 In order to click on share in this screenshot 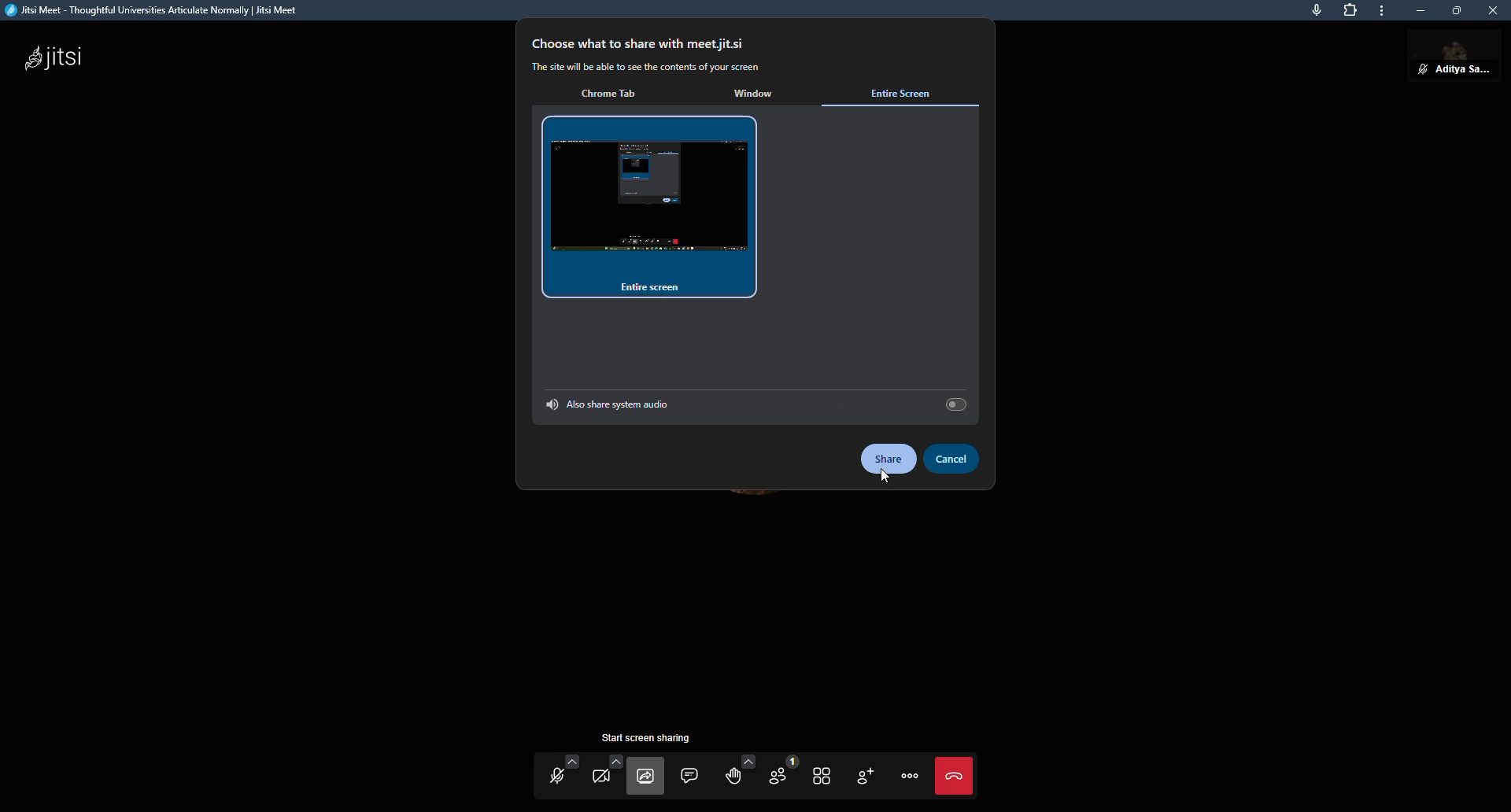, I will do `click(889, 452)`.